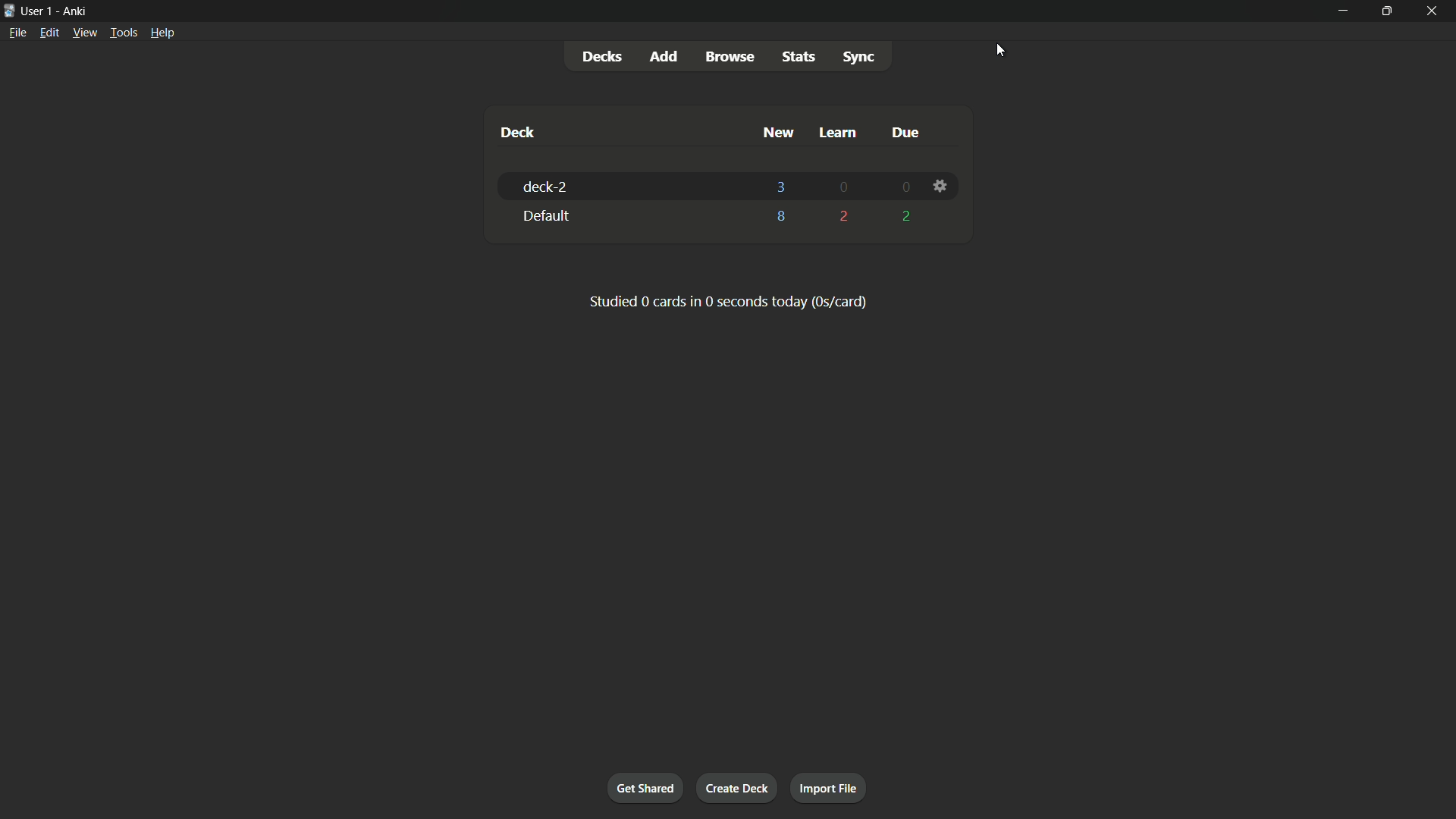 This screenshot has width=1456, height=819. Describe the element at coordinates (844, 215) in the screenshot. I see `2` at that location.